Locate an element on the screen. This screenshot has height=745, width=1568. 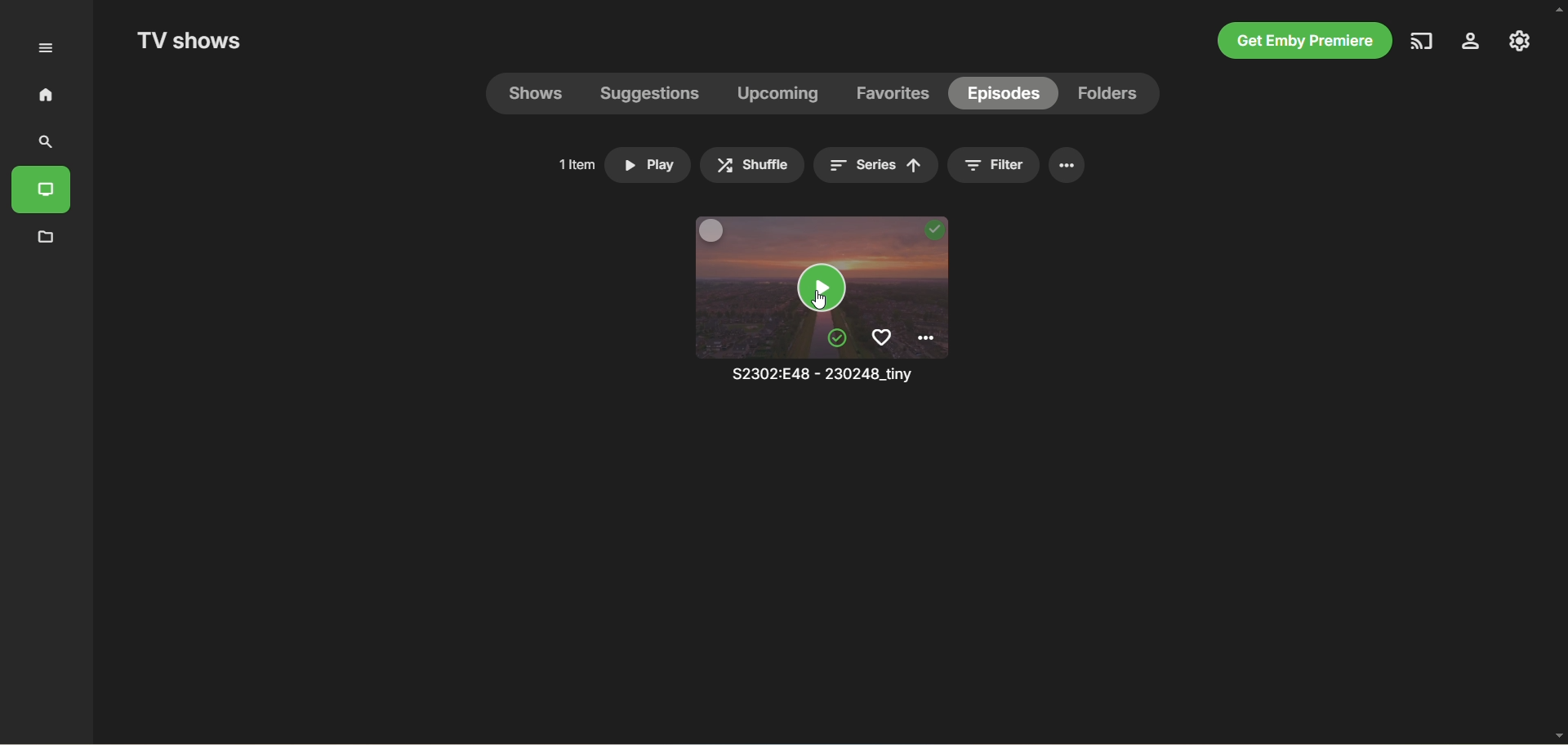
manage emby server is located at coordinates (1520, 41).